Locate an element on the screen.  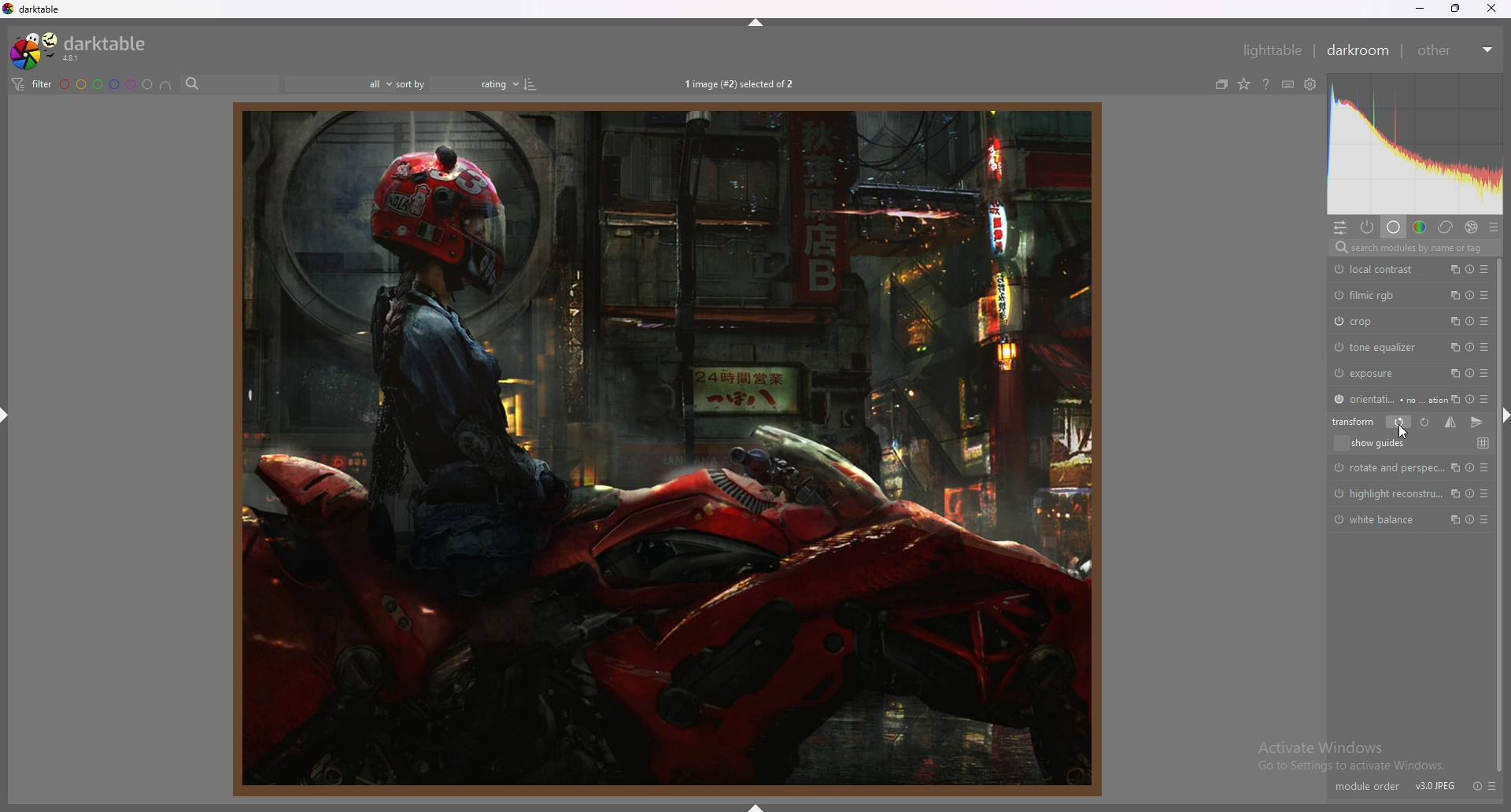
module order is located at coordinates (1367, 786).